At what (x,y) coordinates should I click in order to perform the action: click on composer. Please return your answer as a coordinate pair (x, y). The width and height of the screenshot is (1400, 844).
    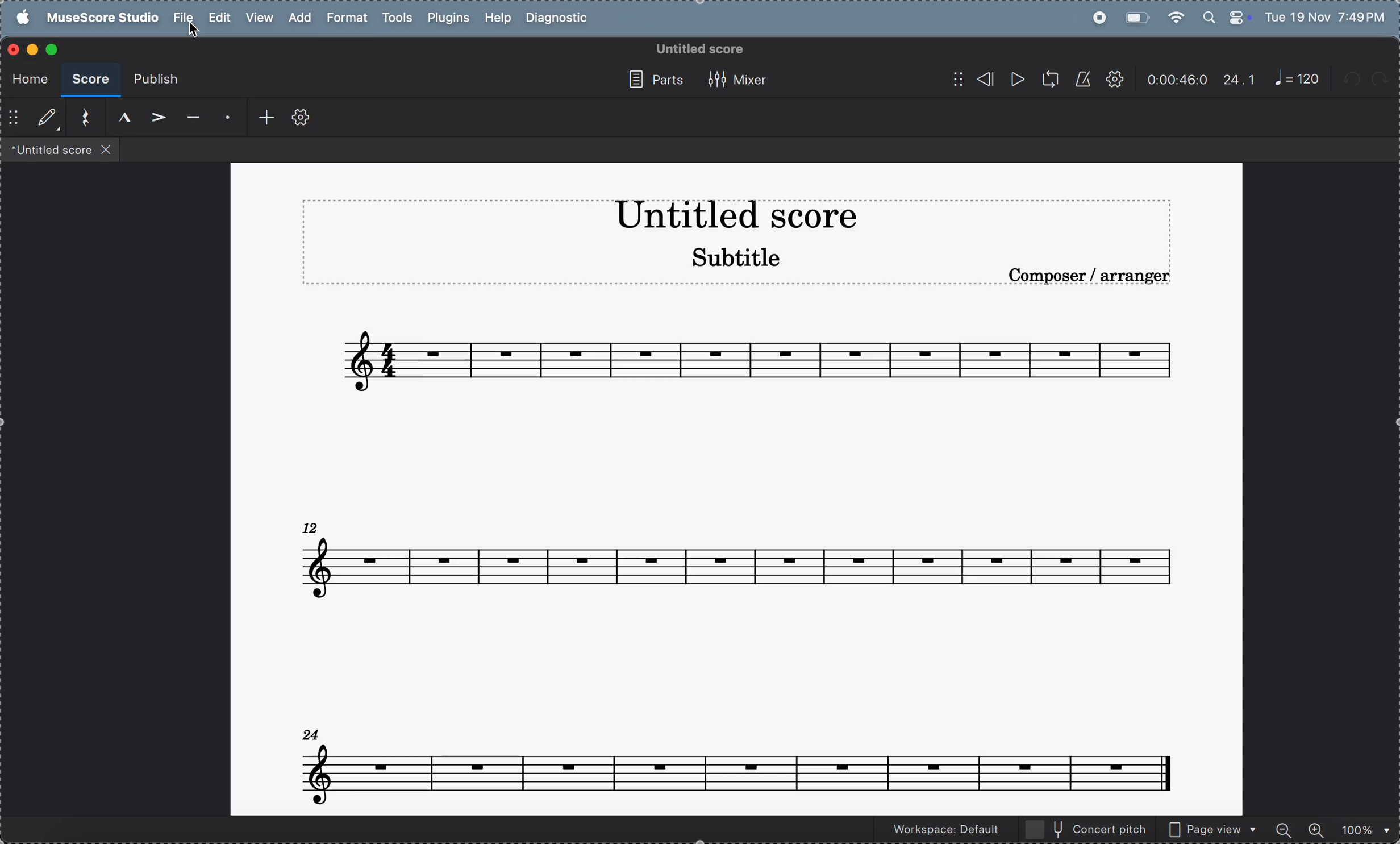
    Looking at the image, I should click on (1091, 275).